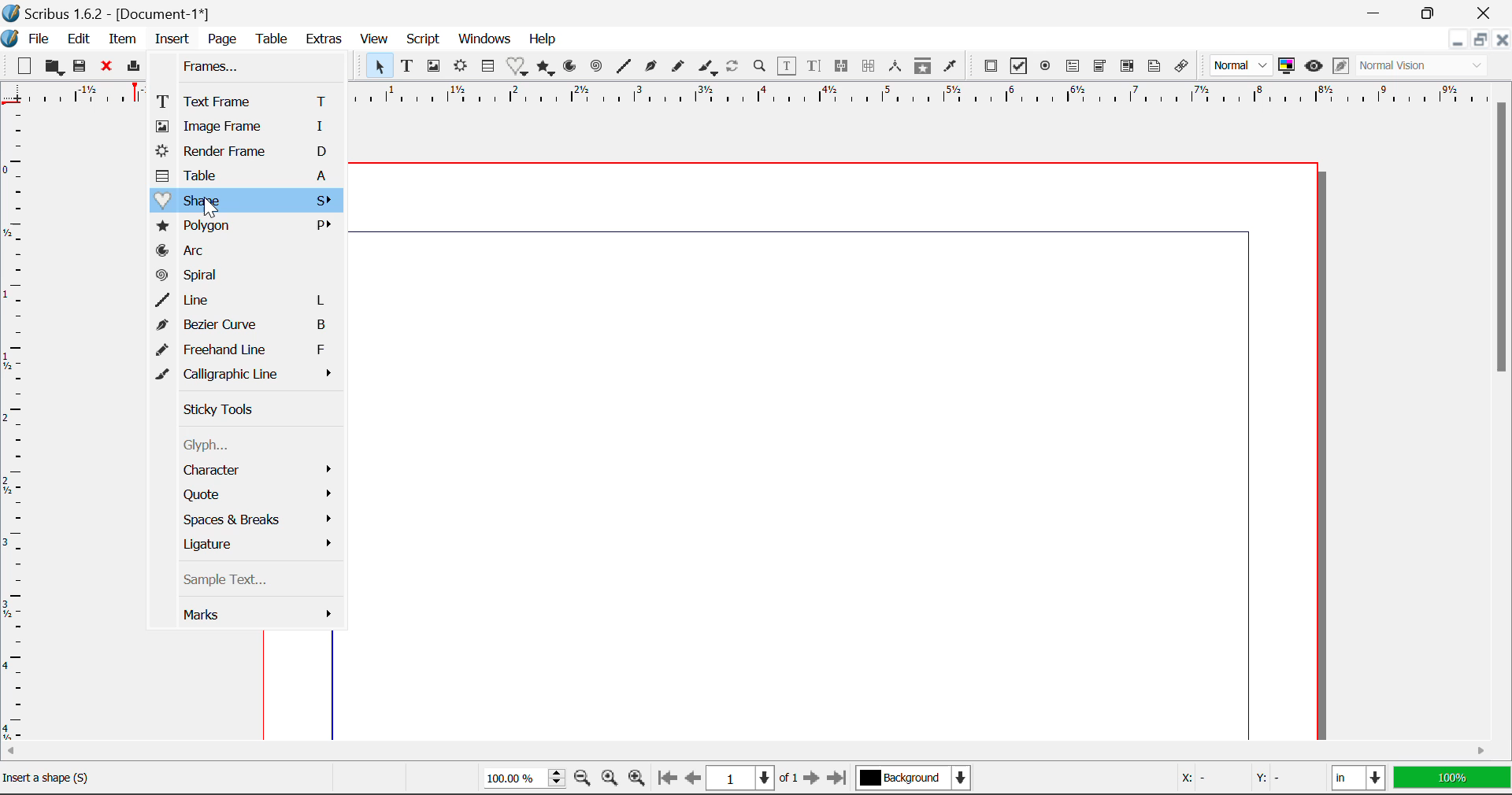 This screenshot has height=795, width=1512. I want to click on Normal, so click(1239, 65).